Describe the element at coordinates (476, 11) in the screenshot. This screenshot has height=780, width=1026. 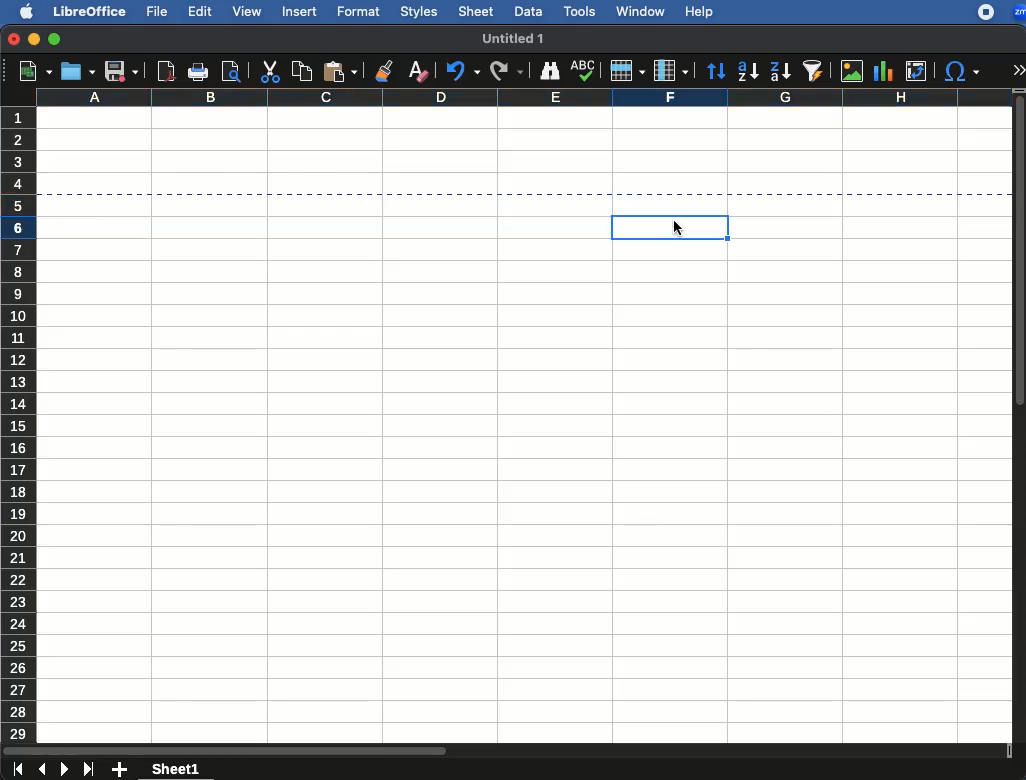
I see `sheet` at that location.